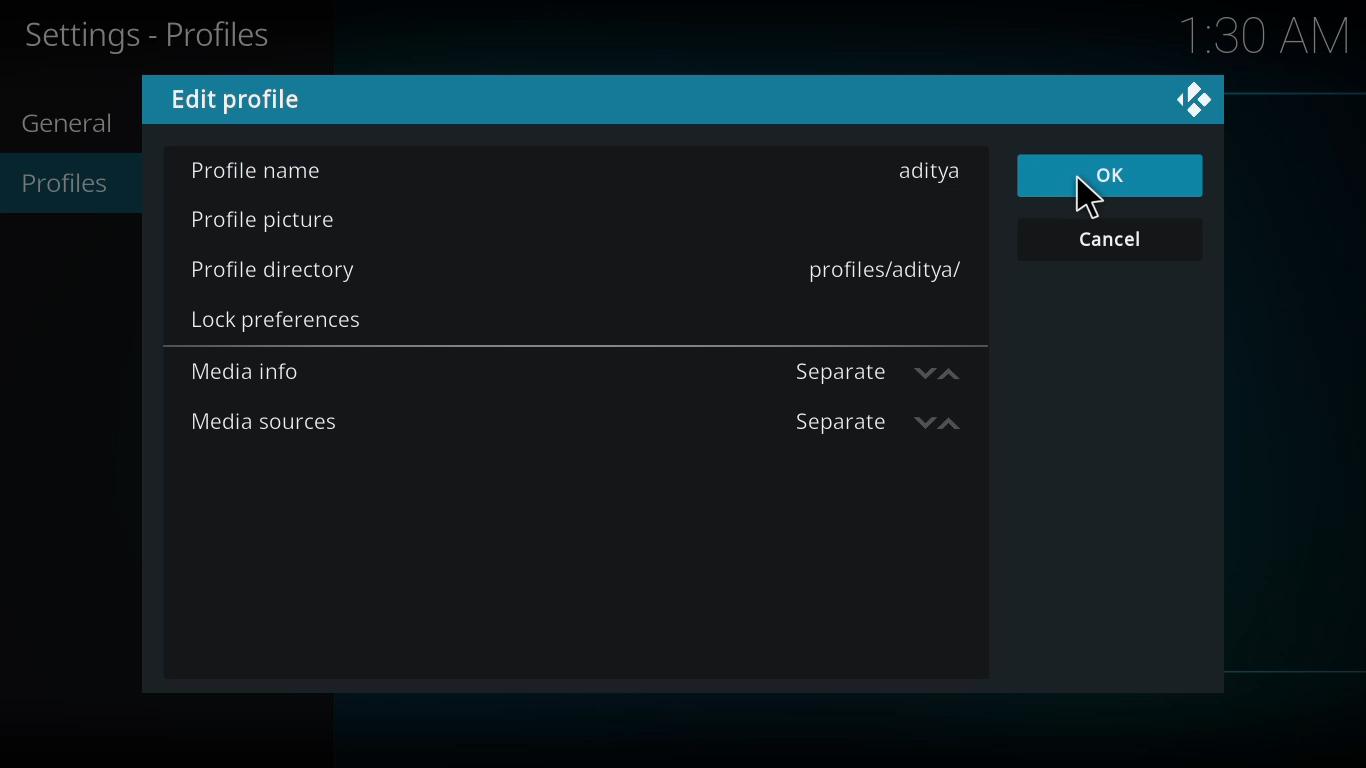 Image resolution: width=1366 pixels, height=768 pixels. I want to click on lock preferences, so click(275, 318).